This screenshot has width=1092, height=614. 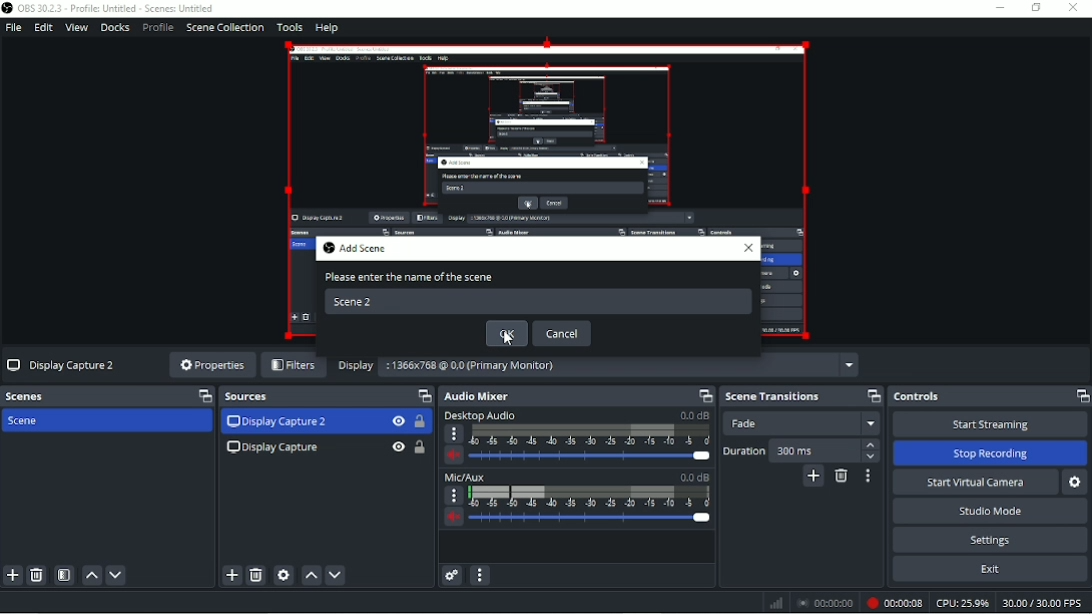 I want to click on Display Capture , so click(x=274, y=450).